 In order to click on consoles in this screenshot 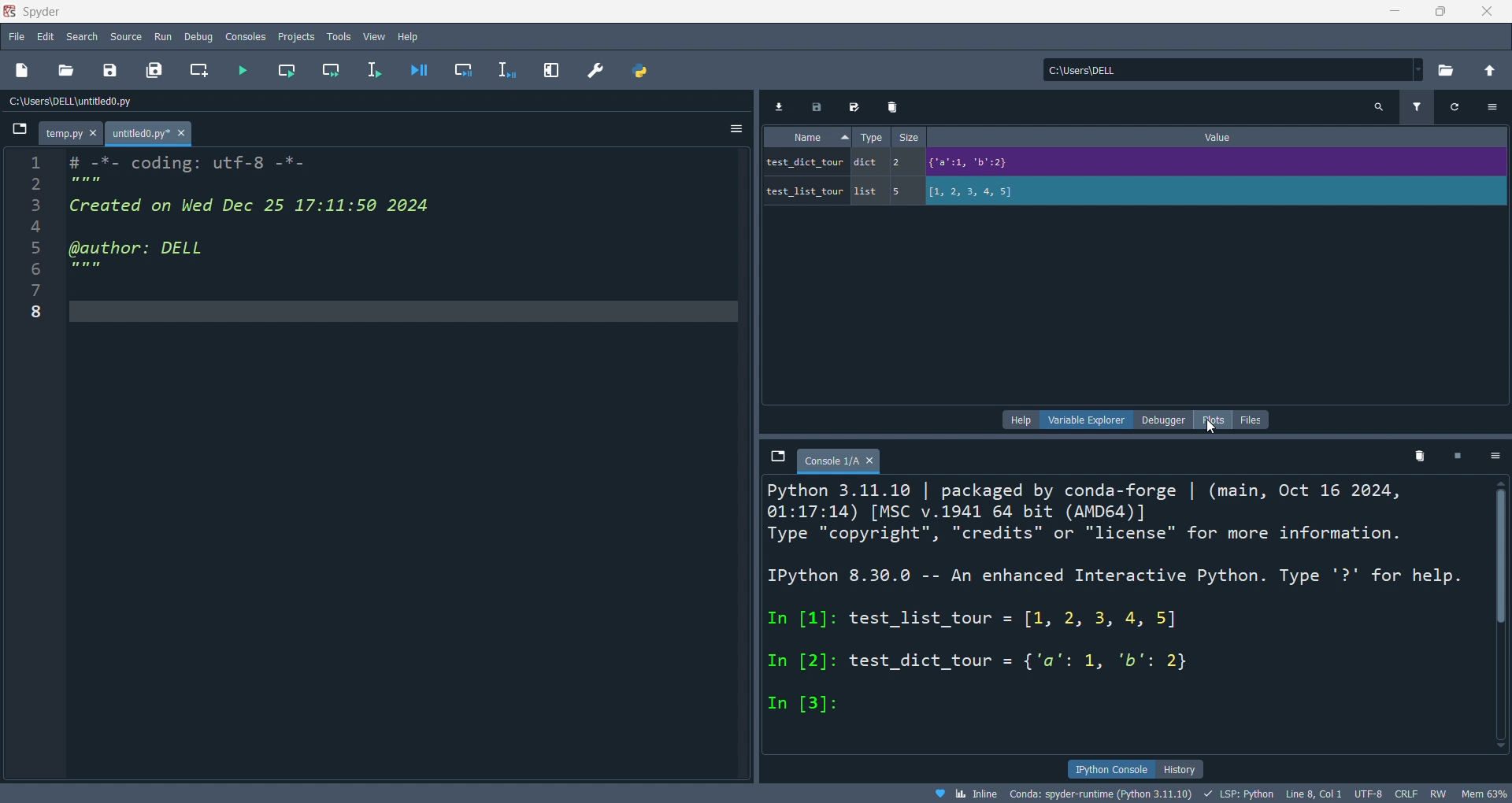, I will do `click(246, 35)`.